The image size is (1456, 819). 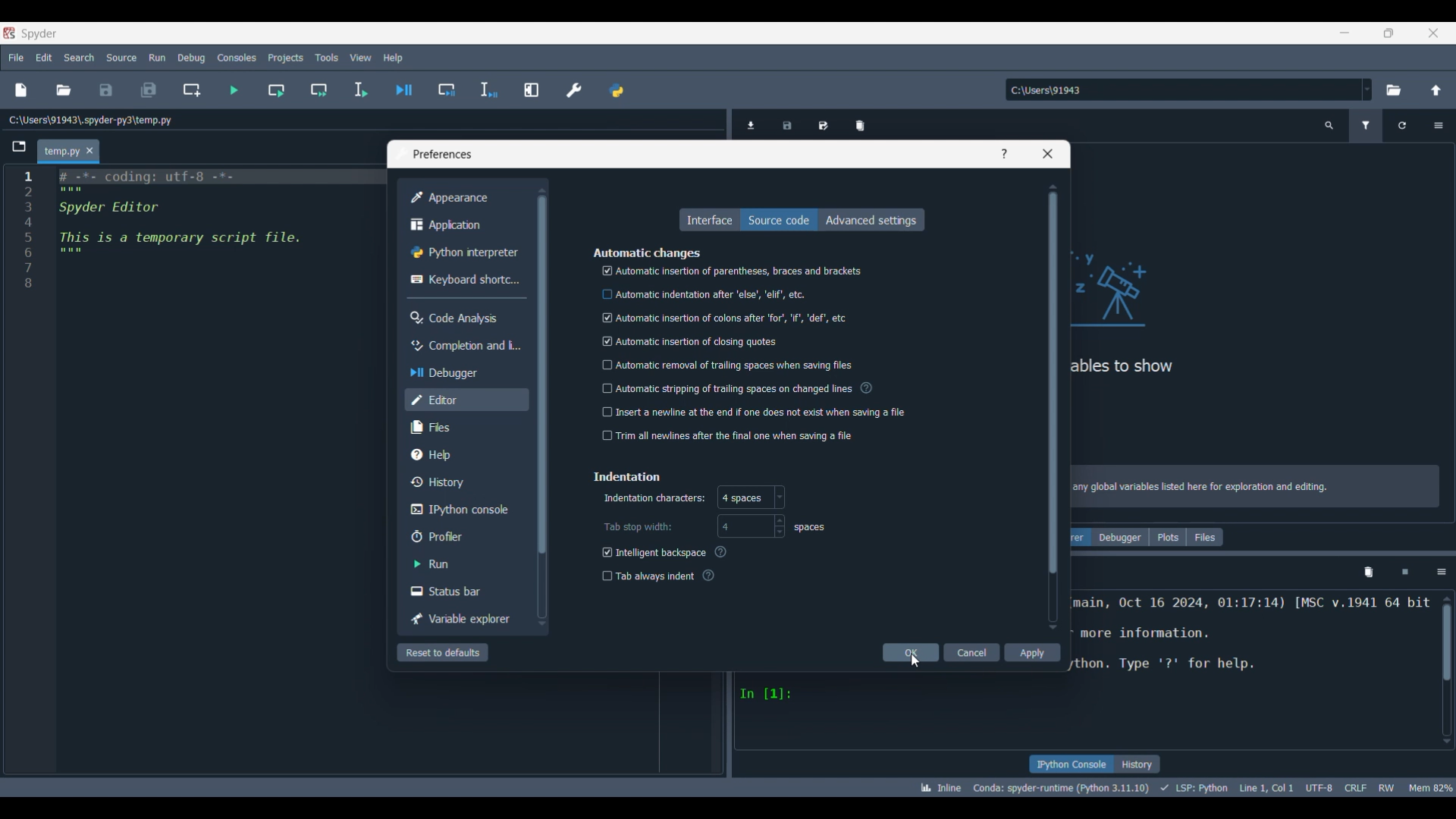 What do you see at coordinates (1168, 537) in the screenshot?
I see `Plots` at bounding box center [1168, 537].